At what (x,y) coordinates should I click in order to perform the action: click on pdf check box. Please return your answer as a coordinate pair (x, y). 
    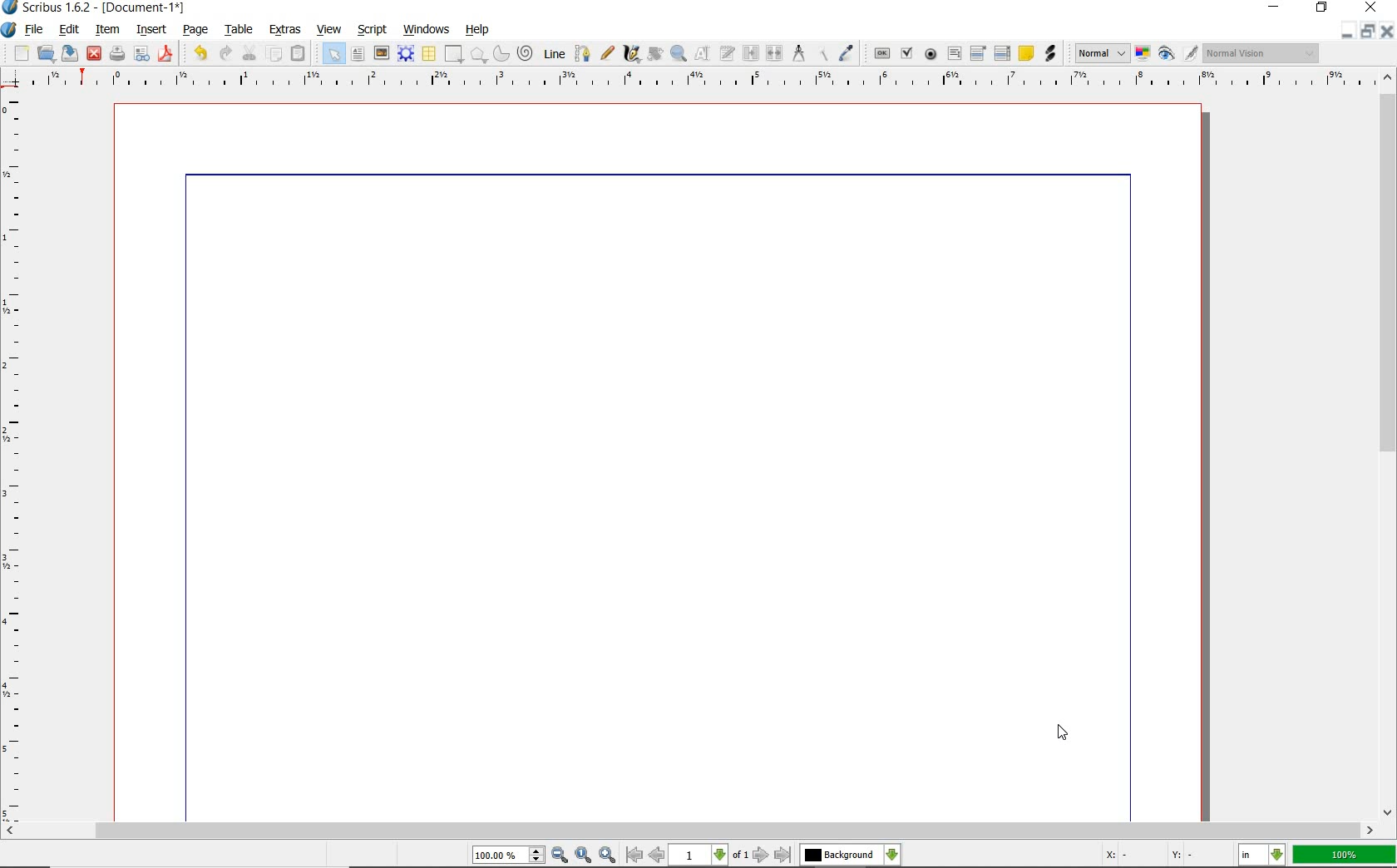
    Looking at the image, I should click on (908, 52).